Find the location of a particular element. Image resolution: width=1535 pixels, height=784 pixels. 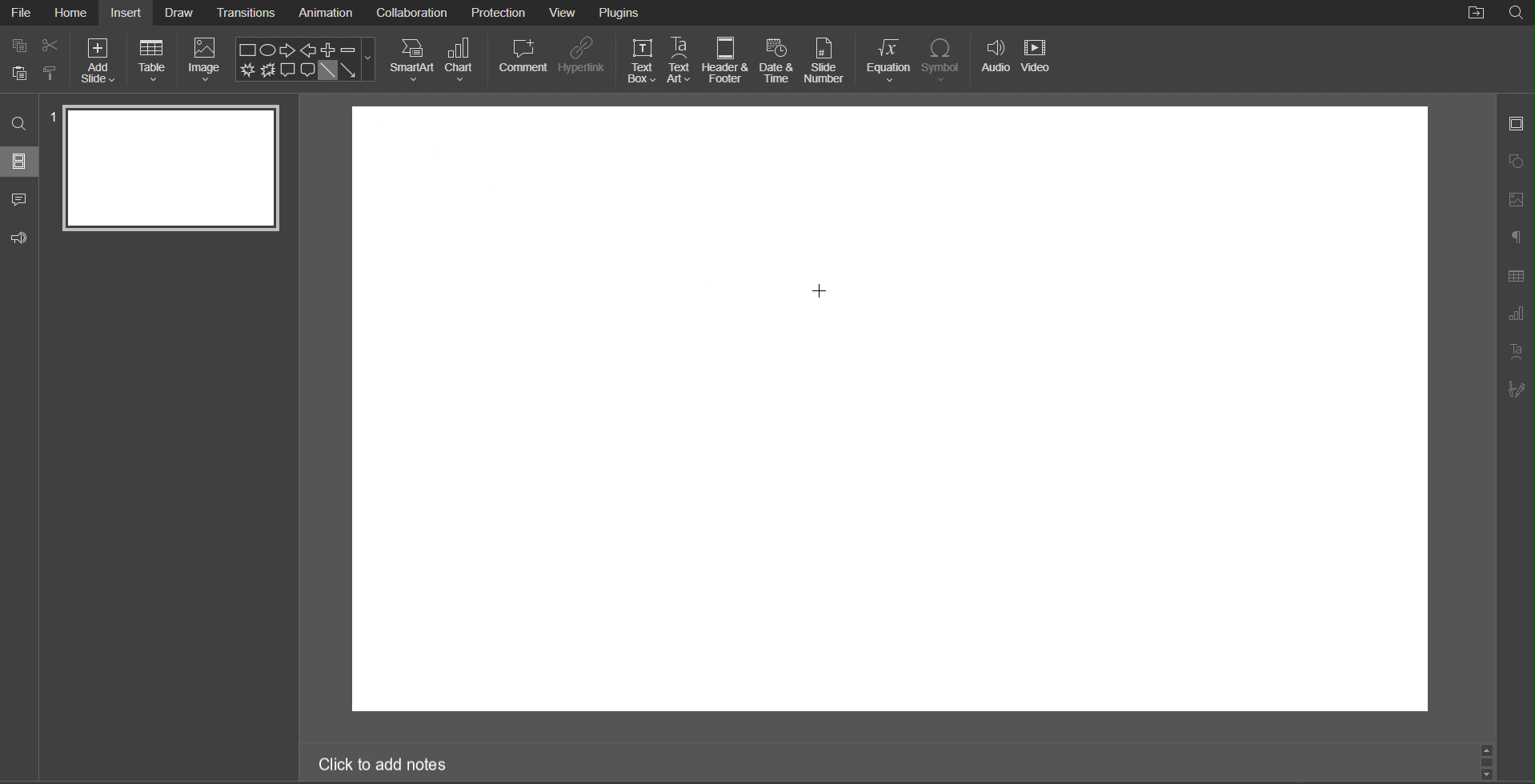

Insert is located at coordinates (128, 12).